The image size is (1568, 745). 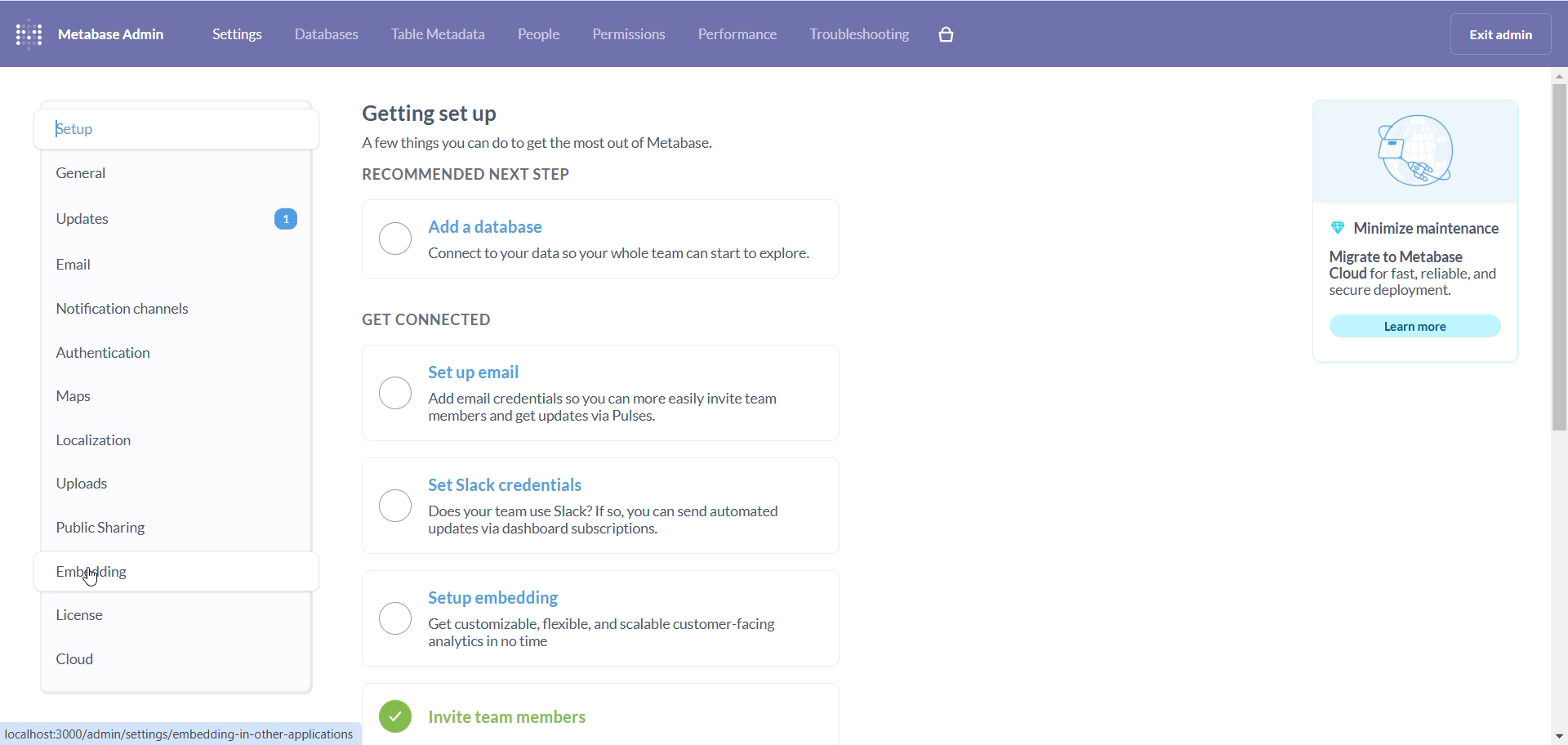 I want to click on email, so click(x=174, y=268).